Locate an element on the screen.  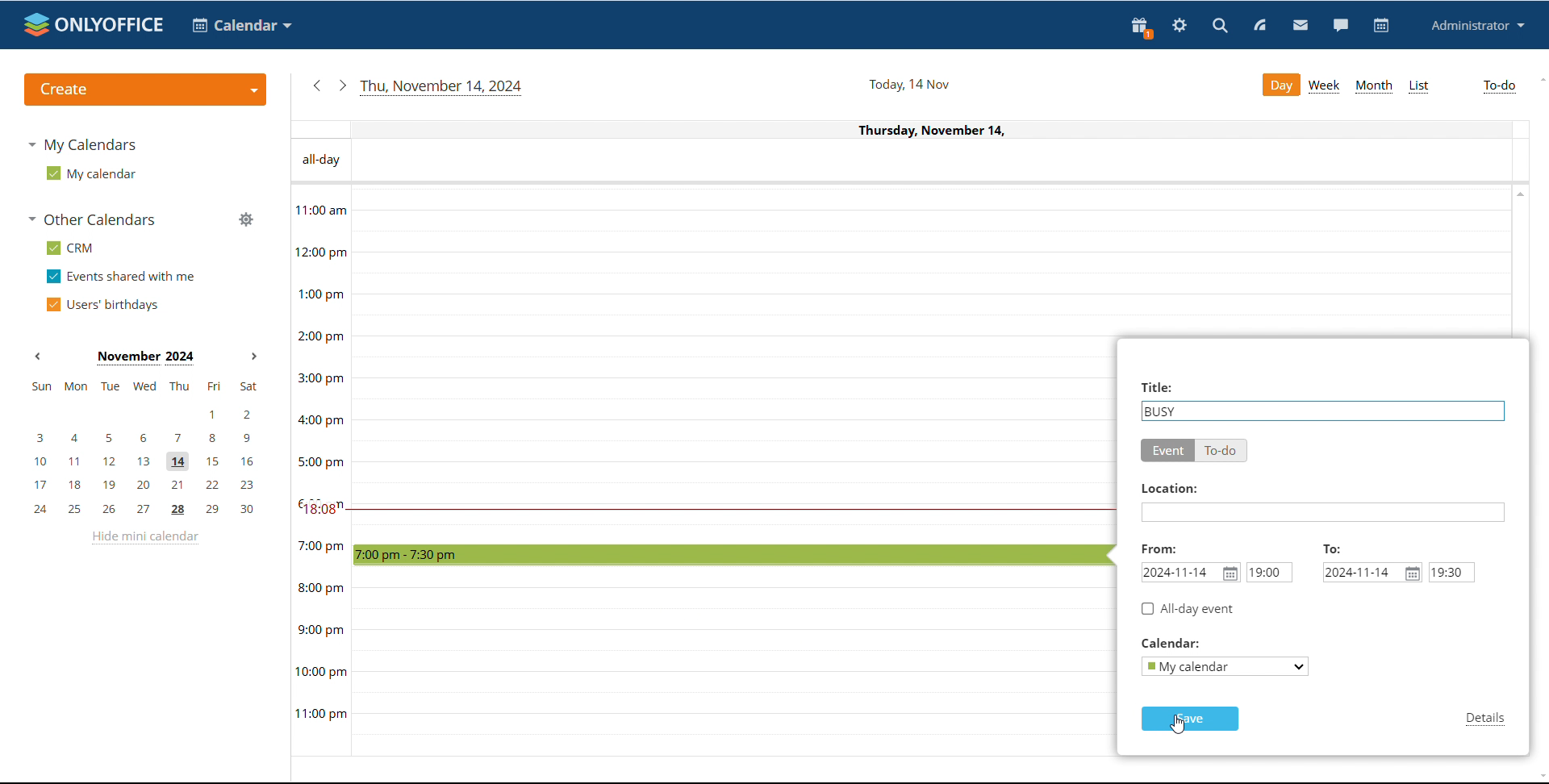
previous month is located at coordinates (39, 358).